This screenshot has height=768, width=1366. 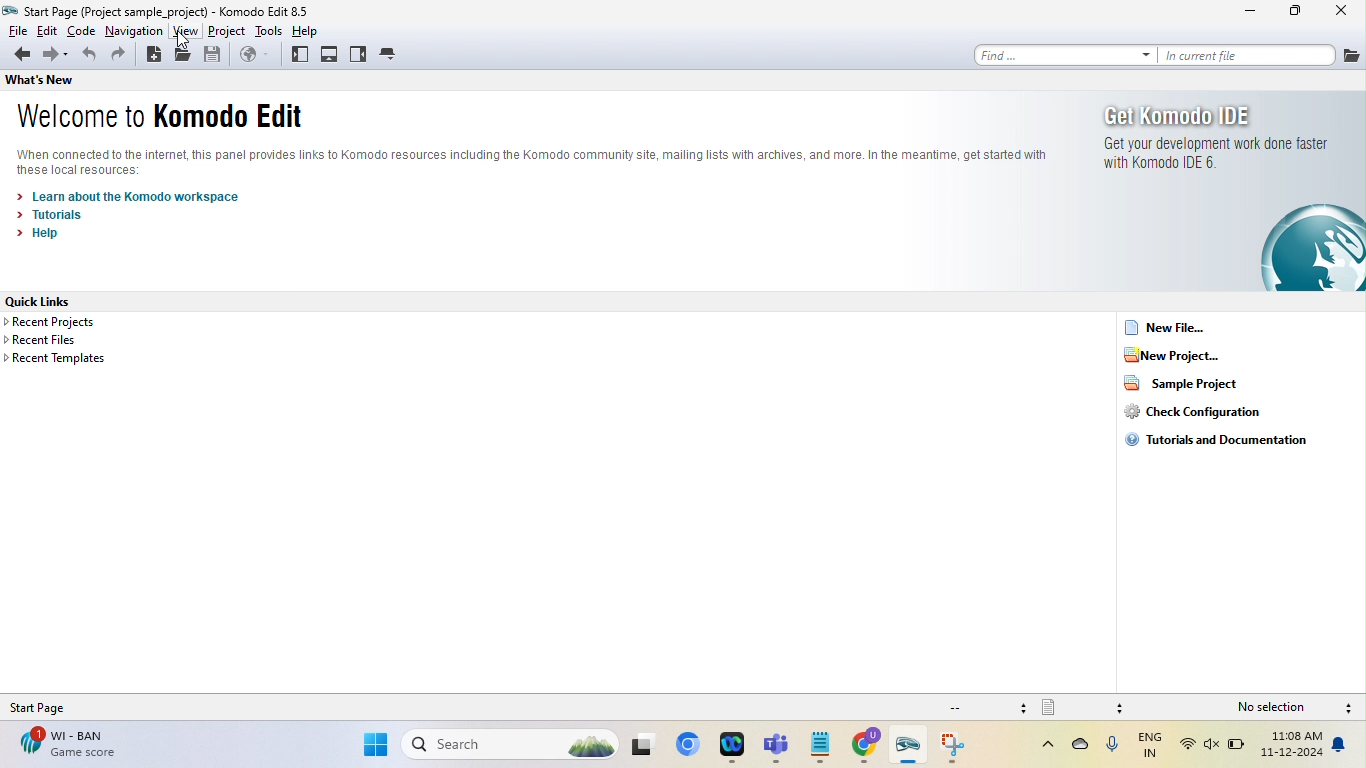 I want to click on file, so click(x=1352, y=55).